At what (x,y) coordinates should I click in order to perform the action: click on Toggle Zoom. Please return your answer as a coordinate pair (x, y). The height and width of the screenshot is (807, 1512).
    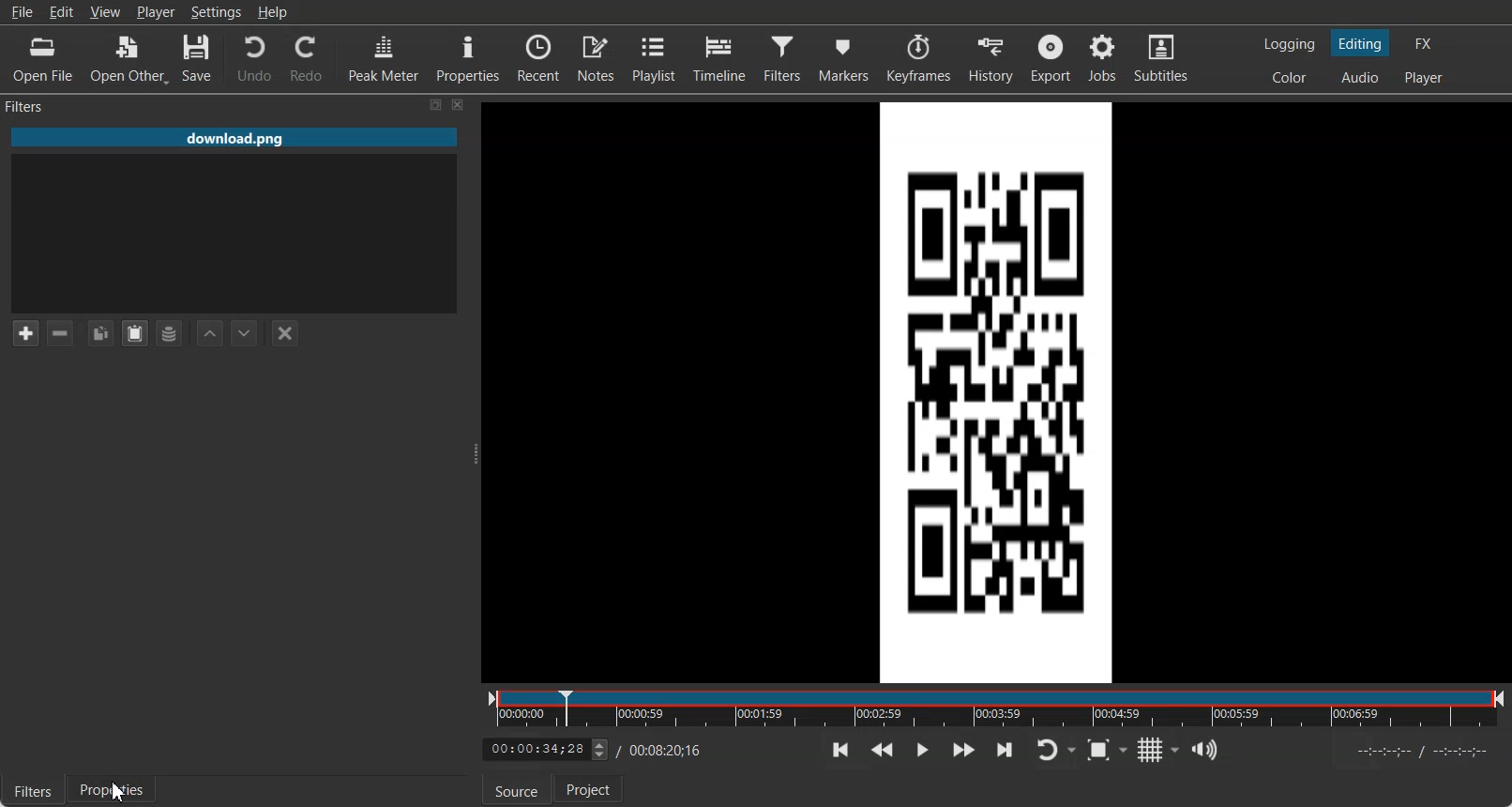
    Looking at the image, I should click on (1108, 750).